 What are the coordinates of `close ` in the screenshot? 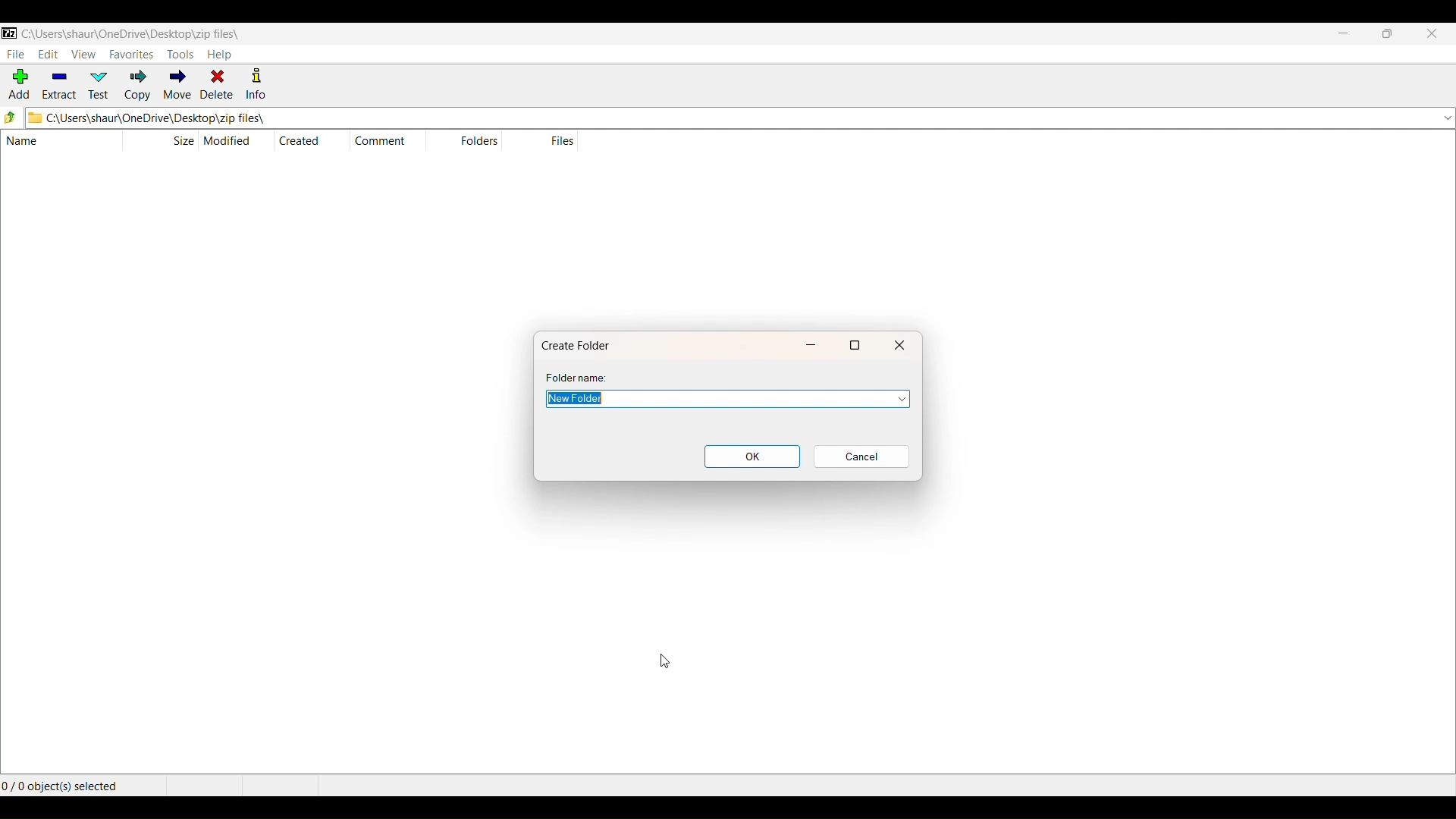 It's located at (900, 344).